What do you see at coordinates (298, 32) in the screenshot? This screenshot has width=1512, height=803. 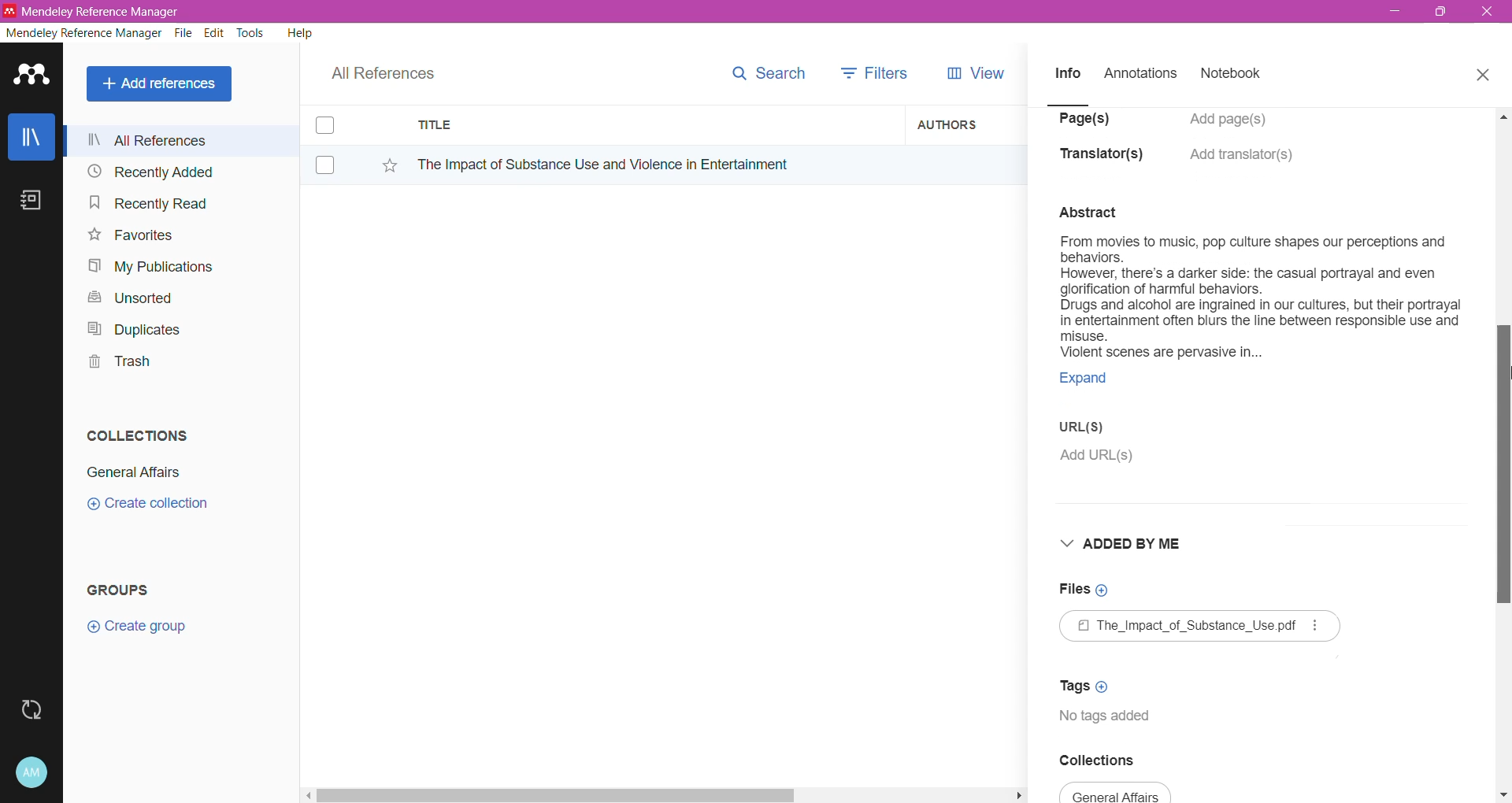 I see `Help` at bounding box center [298, 32].